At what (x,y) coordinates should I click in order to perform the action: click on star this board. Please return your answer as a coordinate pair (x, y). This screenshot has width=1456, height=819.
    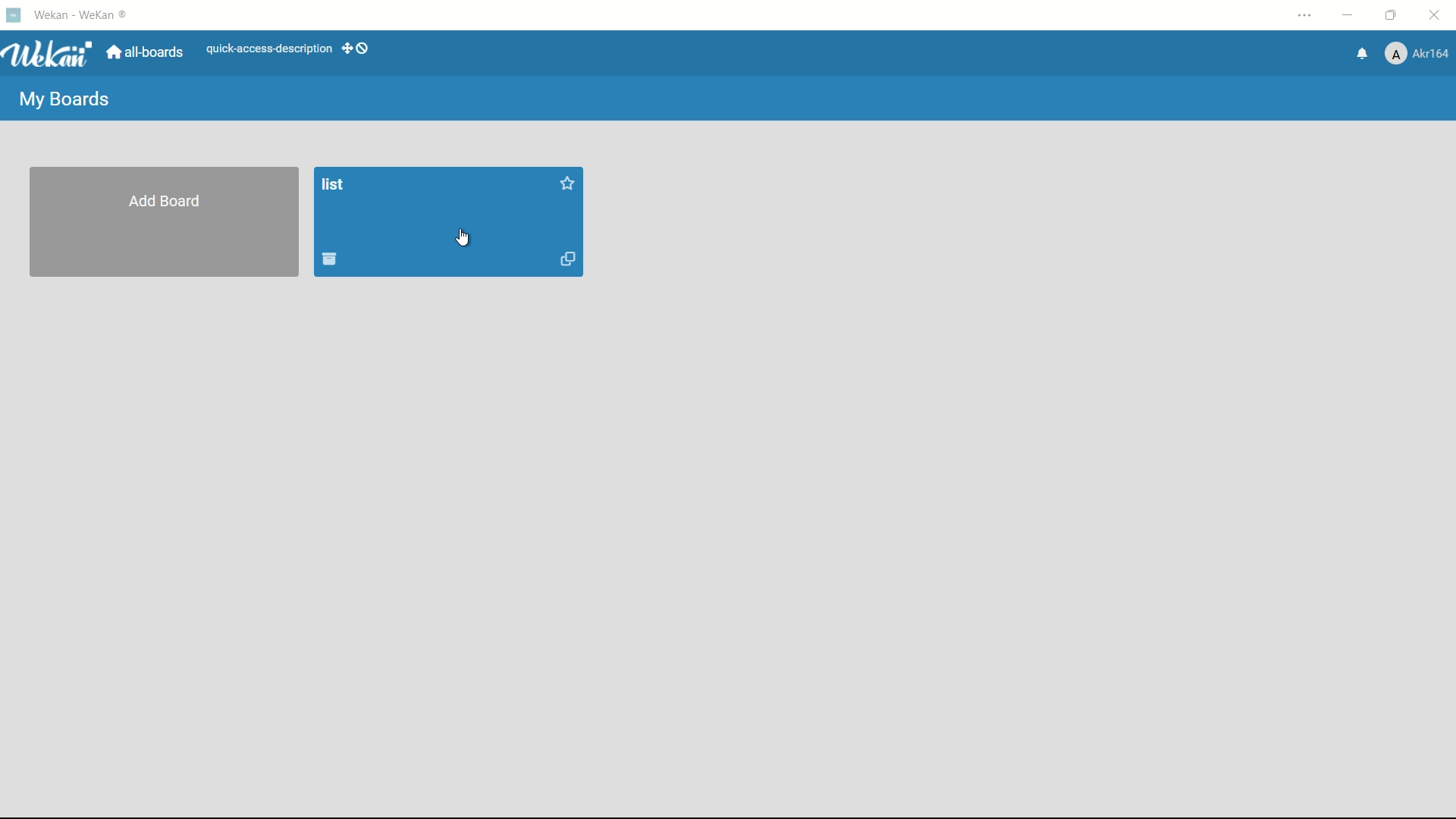
    Looking at the image, I should click on (566, 184).